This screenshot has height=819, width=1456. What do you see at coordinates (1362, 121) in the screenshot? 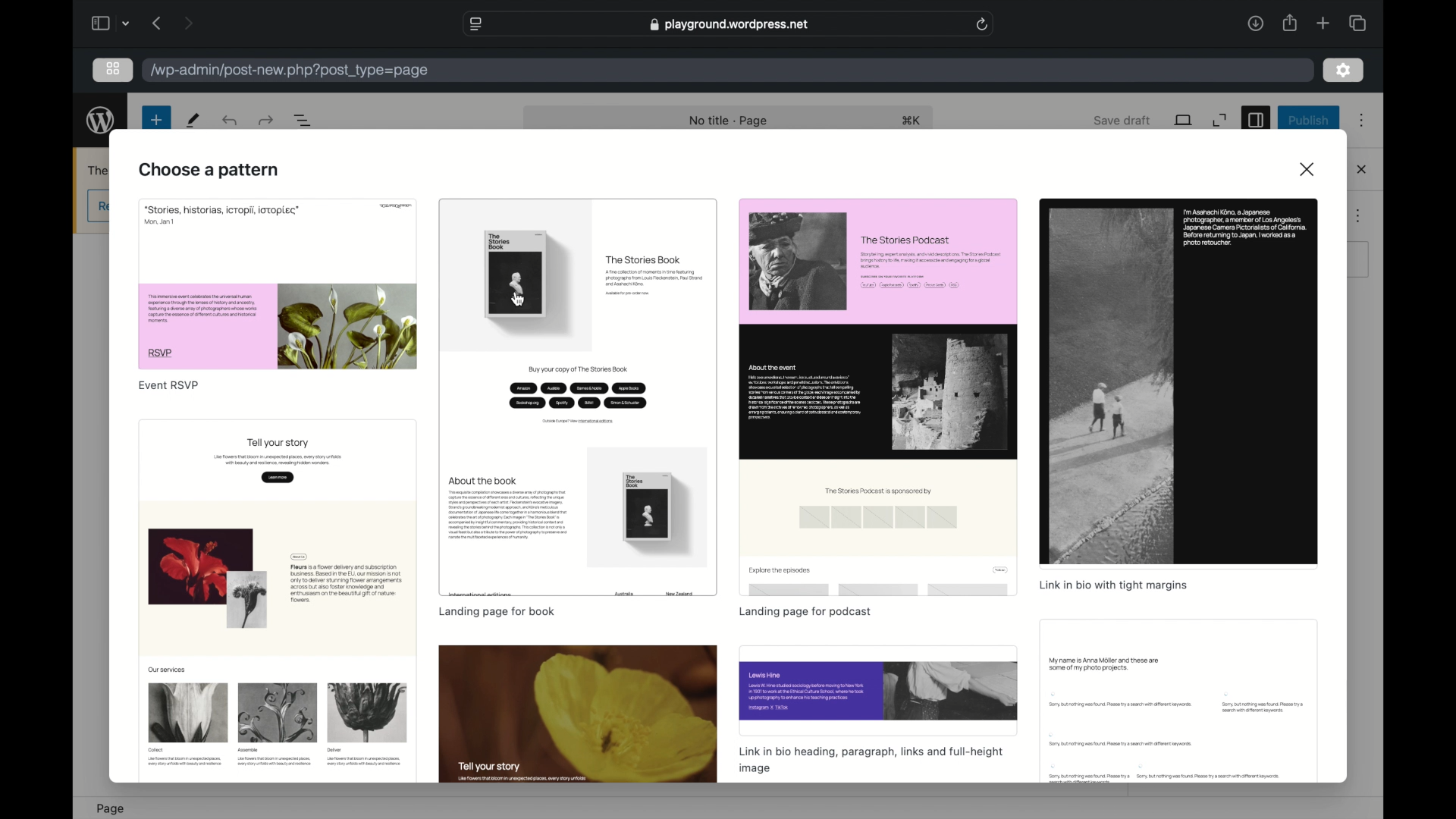
I see `more options` at bounding box center [1362, 121].